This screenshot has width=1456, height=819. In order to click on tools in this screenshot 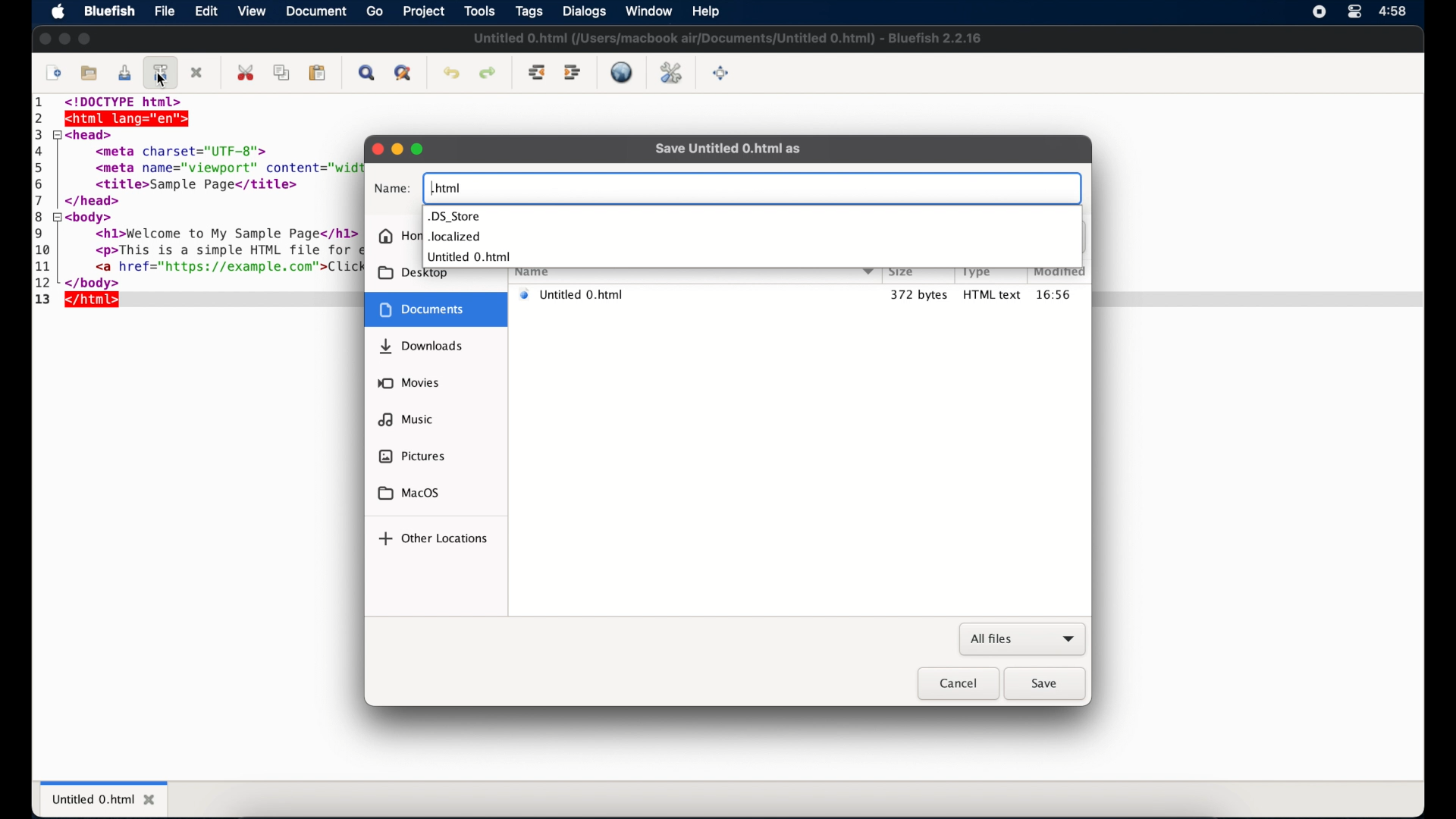, I will do `click(480, 11)`.